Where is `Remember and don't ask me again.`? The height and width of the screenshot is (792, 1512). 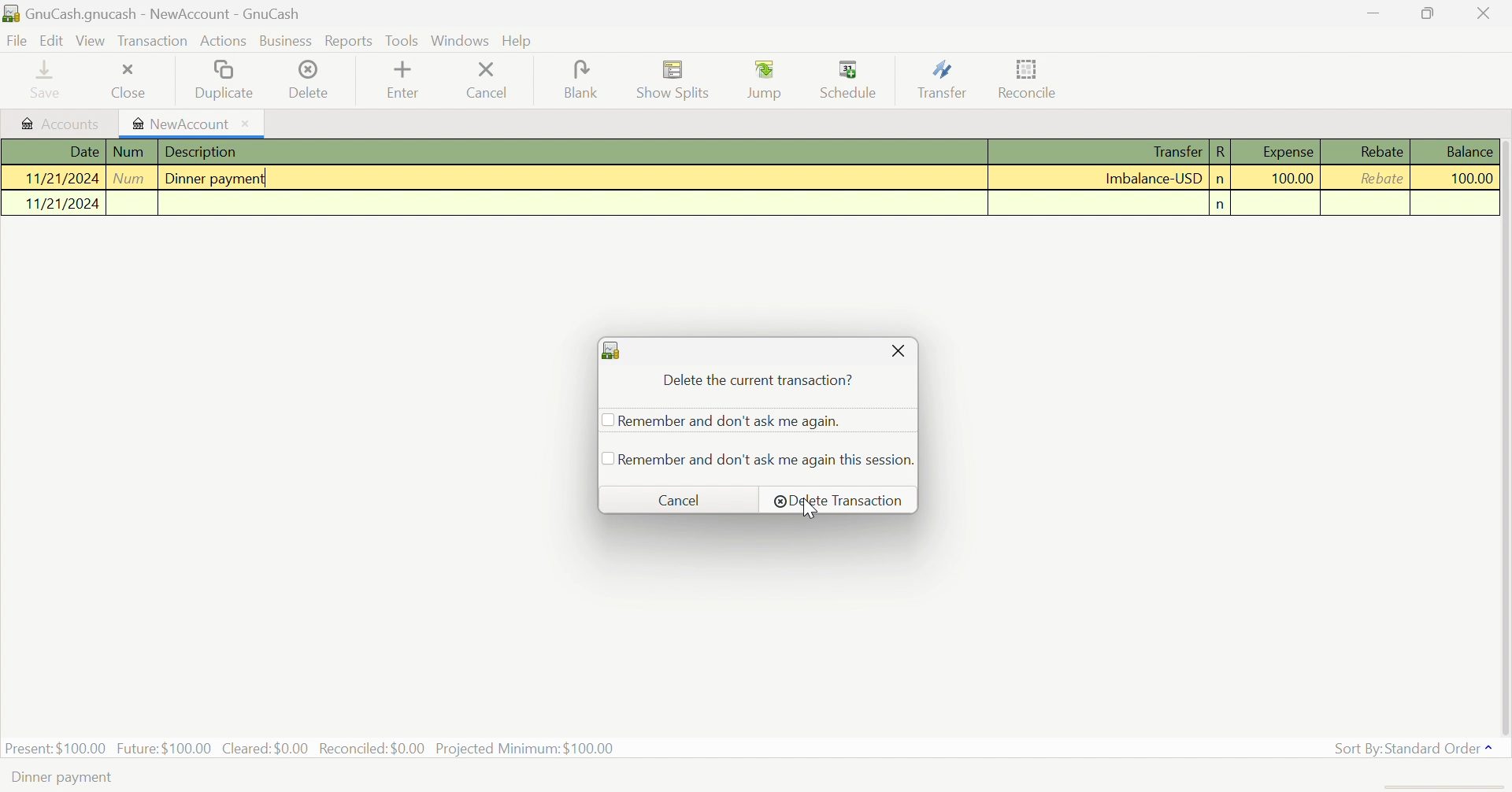 Remember and don't ask me again. is located at coordinates (734, 421).